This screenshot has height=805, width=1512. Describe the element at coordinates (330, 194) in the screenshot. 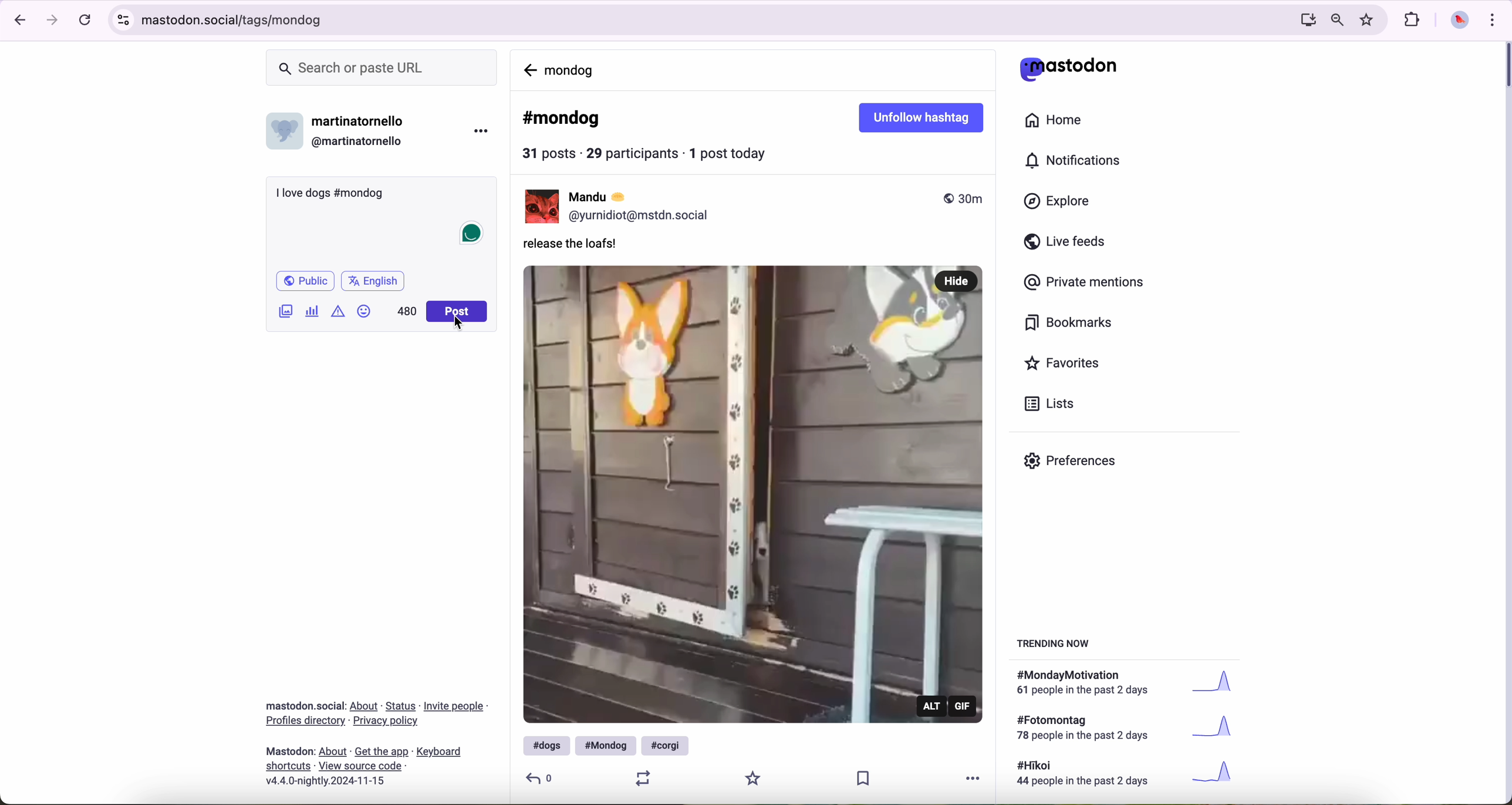

I see `I love dogs #mondog` at that location.